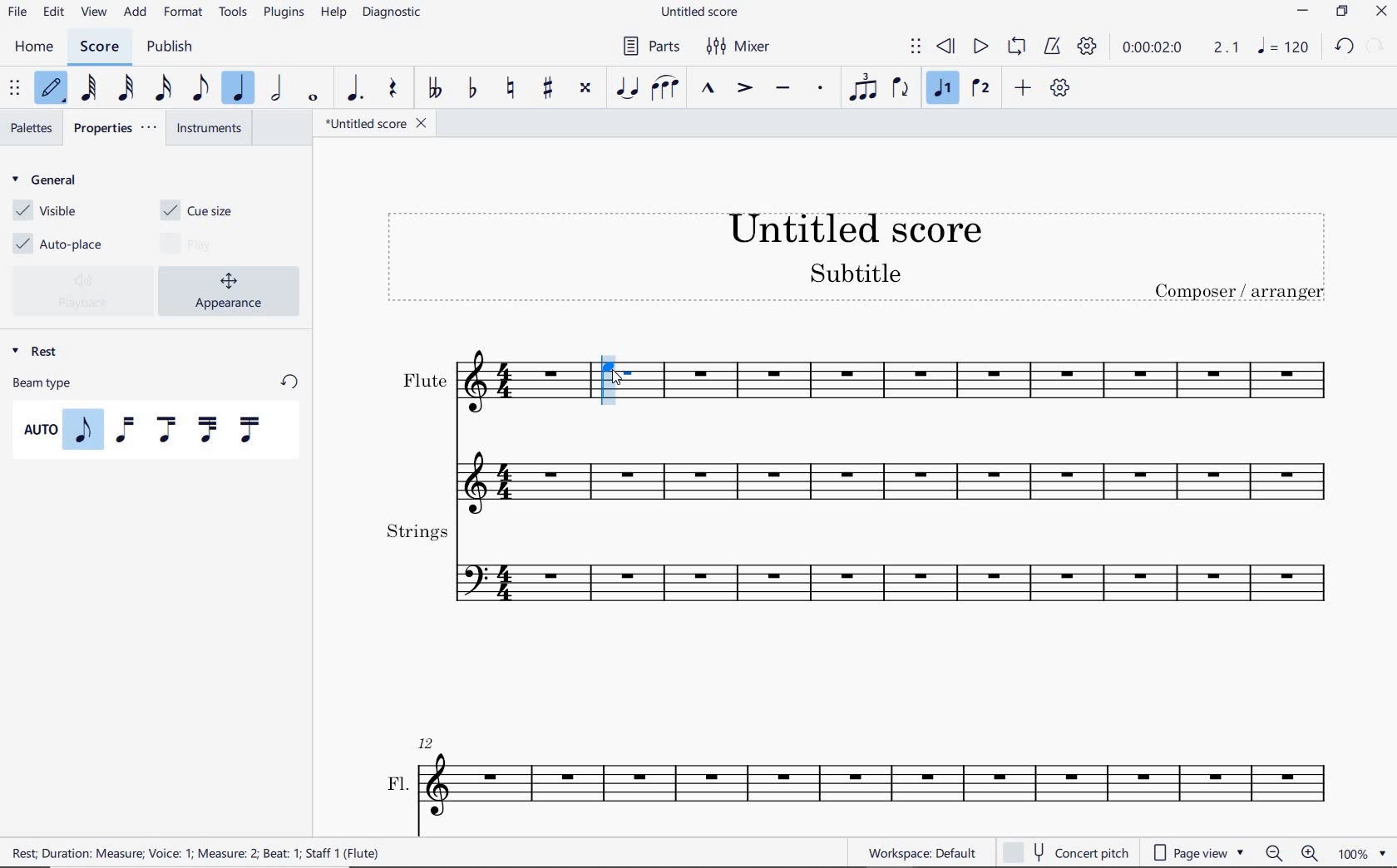 Image resolution: width=1397 pixels, height=868 pixels. What do you see at coordinates (16, 89) in the screenshot?
I see `SELECT TO MOVE` at bounding box center [16, 89].